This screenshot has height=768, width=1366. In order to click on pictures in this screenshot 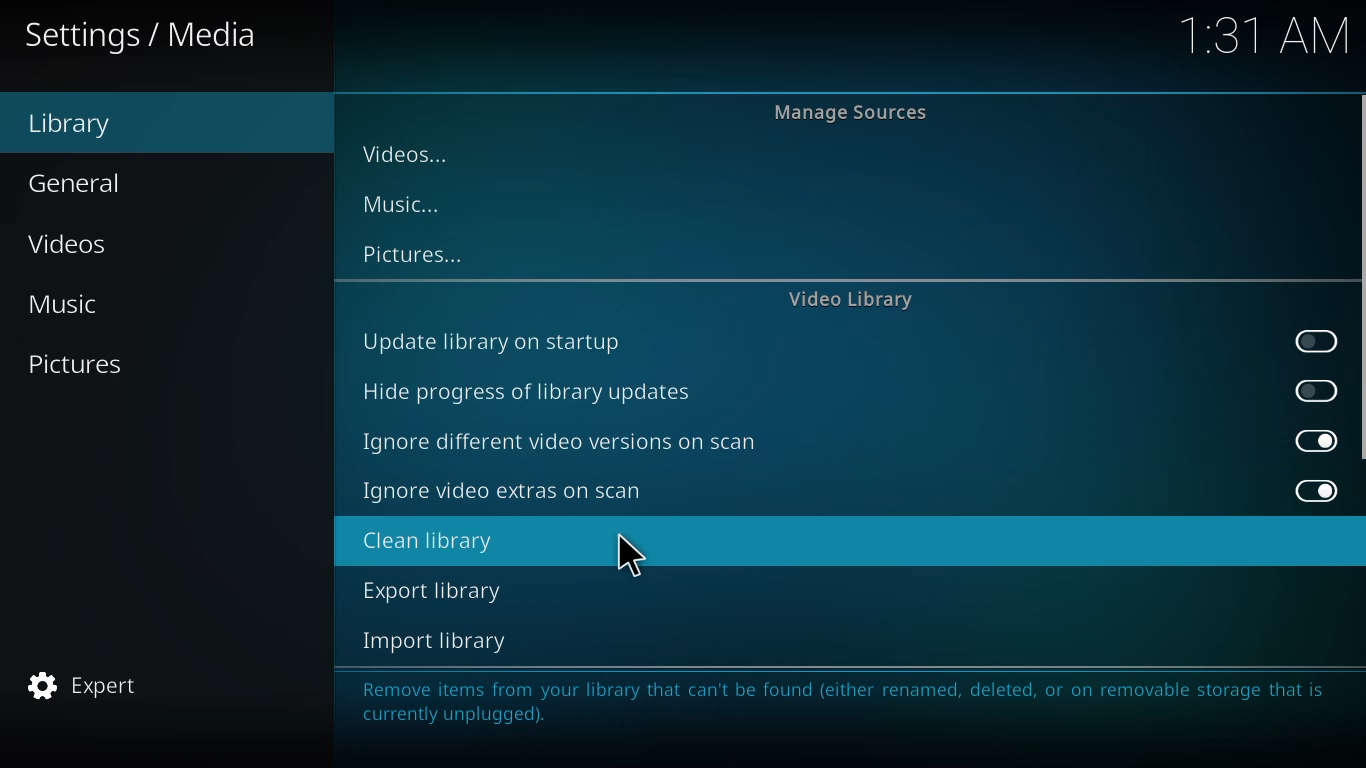, I will do `click(415, 254)`.